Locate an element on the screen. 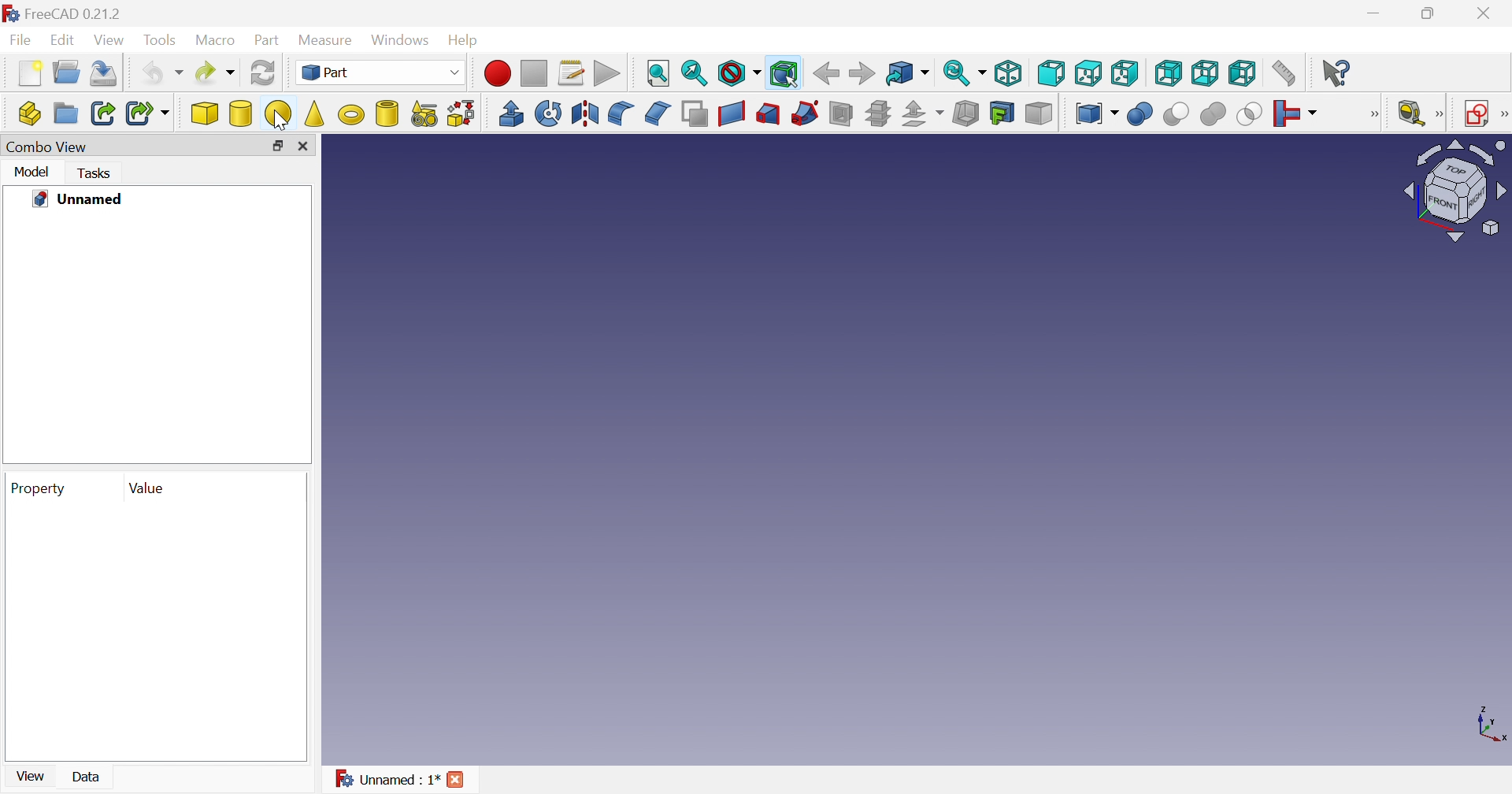 This screenshot has height=794, width=1512. Close is located at coordinates (1488, 13).